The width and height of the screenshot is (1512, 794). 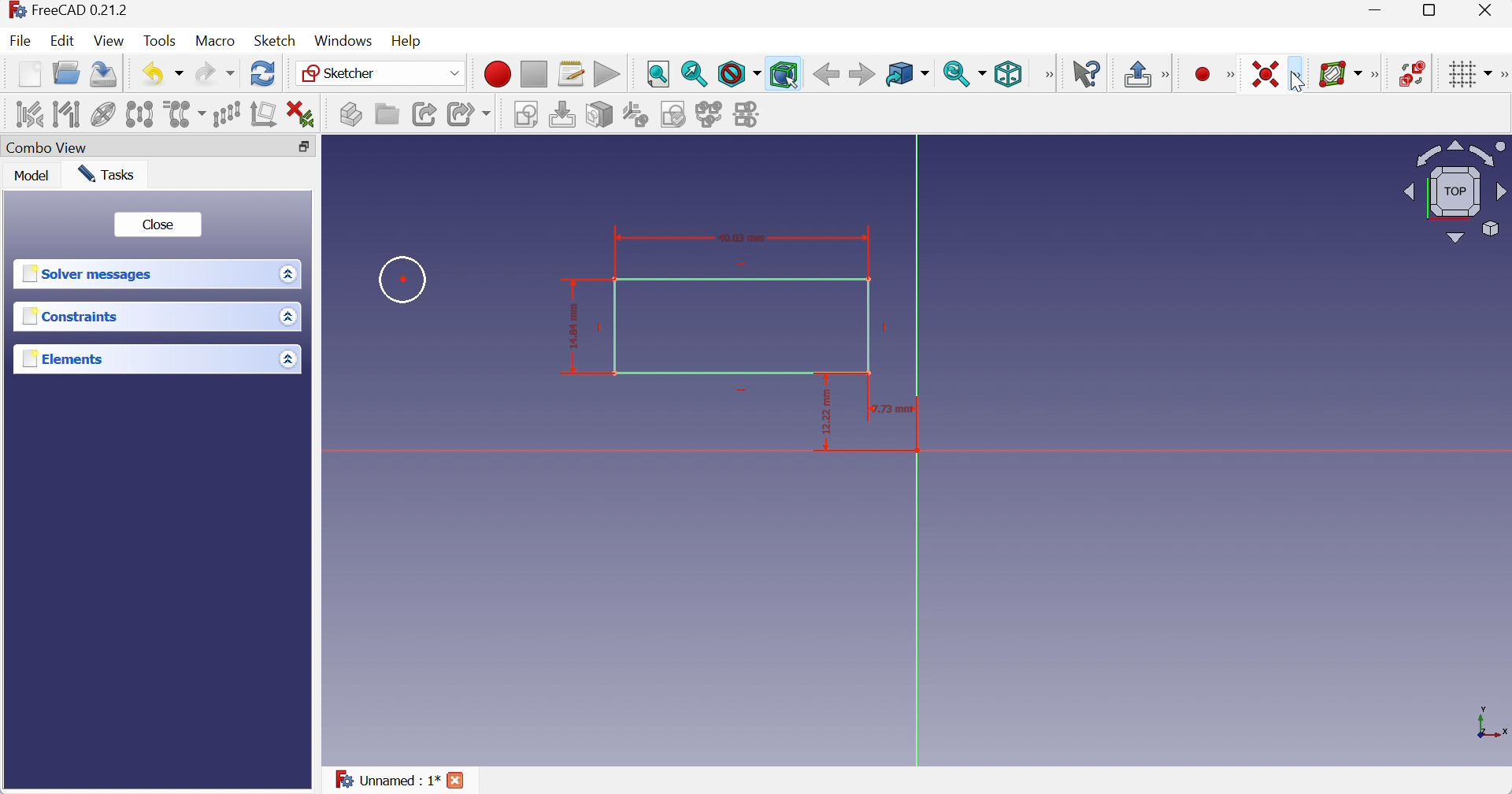 What do you see at coordinates (143, 113) in the screenshot?
I see `Symmetry` at bounding box center [143, 113].